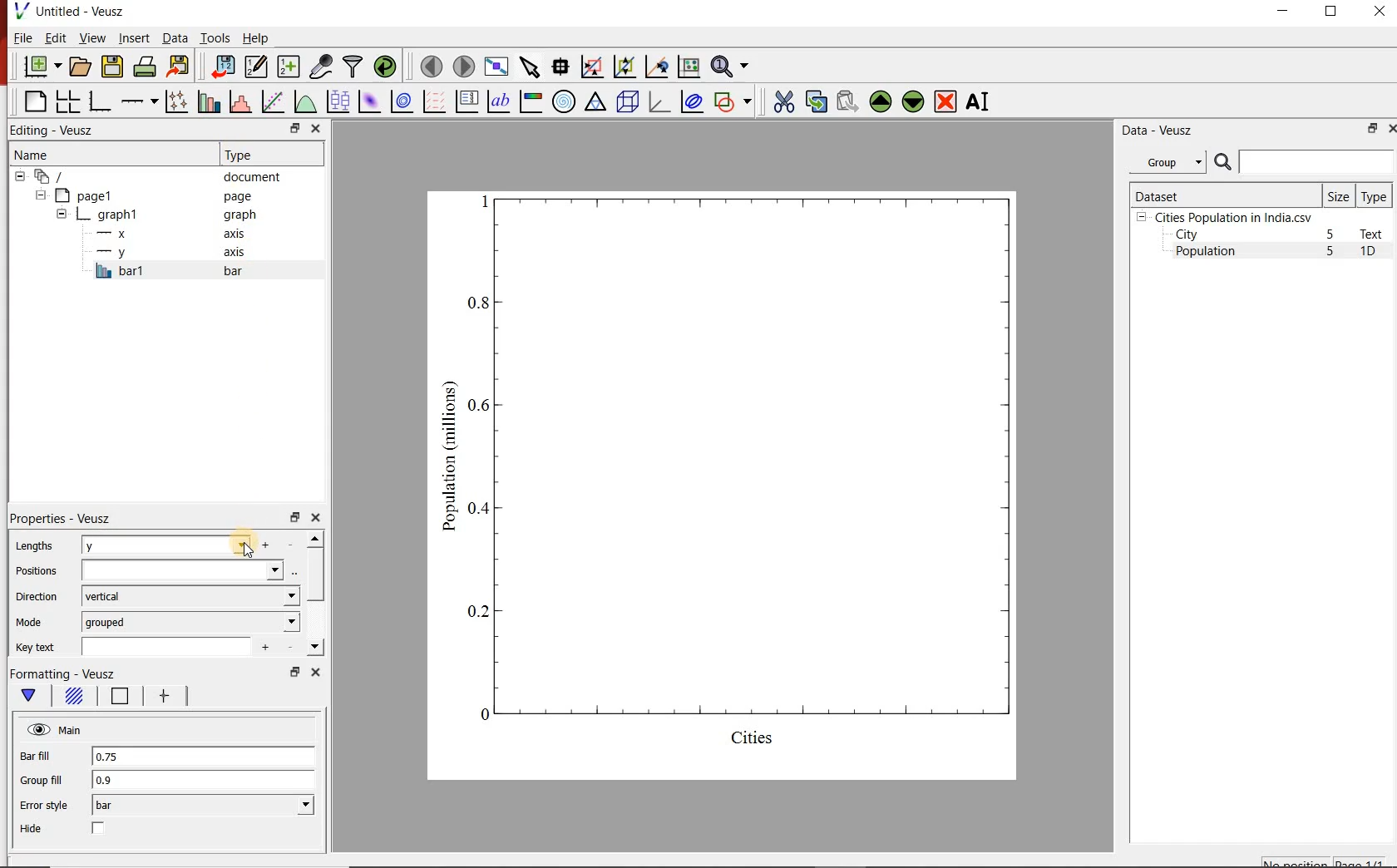 Image resolution: width=1397 pixels, height=868 pixels. Describe the element at coordinates (847, 101) in the screenshot. I see `paste widget from the clipboard` at that location.